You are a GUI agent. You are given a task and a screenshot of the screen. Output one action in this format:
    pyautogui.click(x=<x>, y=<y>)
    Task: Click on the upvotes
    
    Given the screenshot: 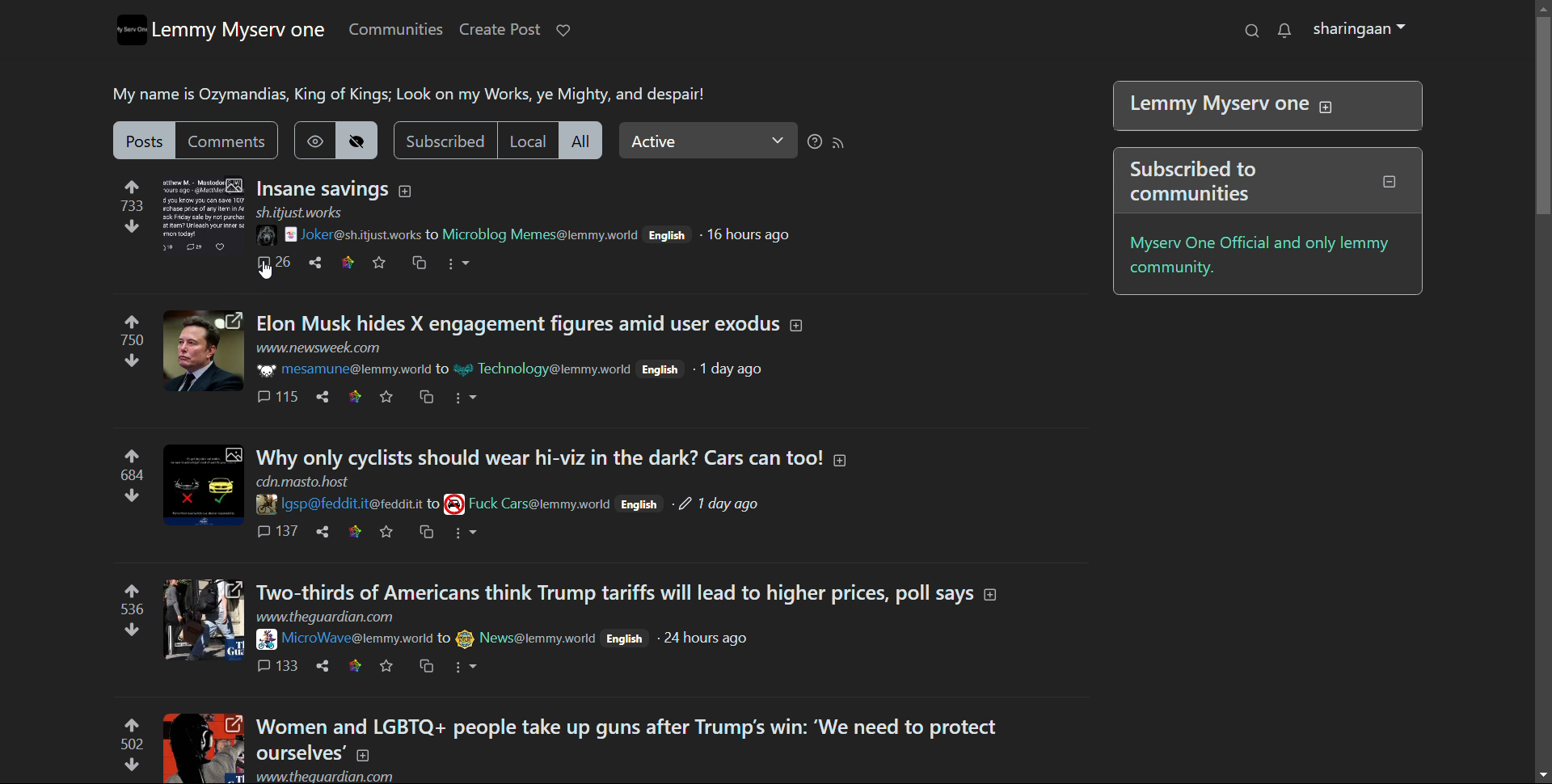 What is the action you would take?
    pyautogui.click(x=133, y=185)
    